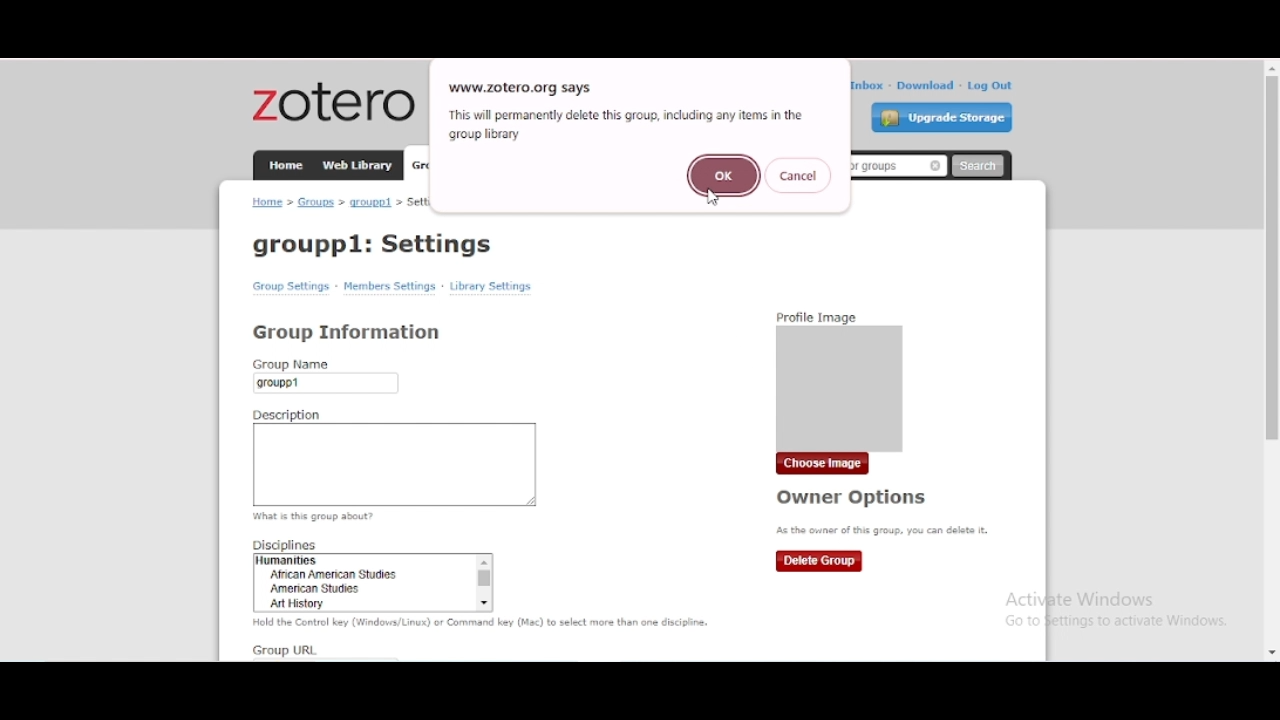 Image resolution: width=1280 pixels, height=720 pixels. What do you see at coordinates (346, 331) in the screenshot?
I see `group information` at bounding box center [346, 331].